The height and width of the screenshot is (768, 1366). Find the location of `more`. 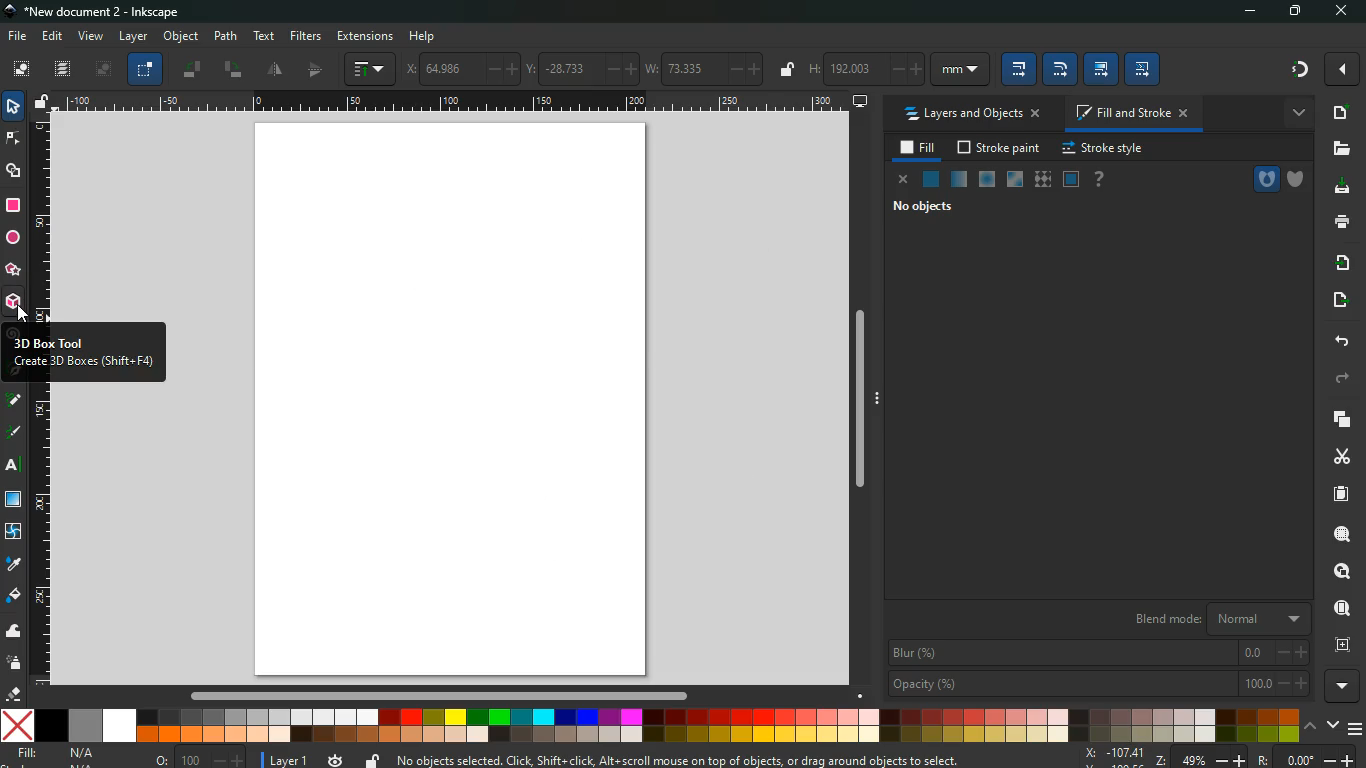

more is located at coordinates (1296, 112).